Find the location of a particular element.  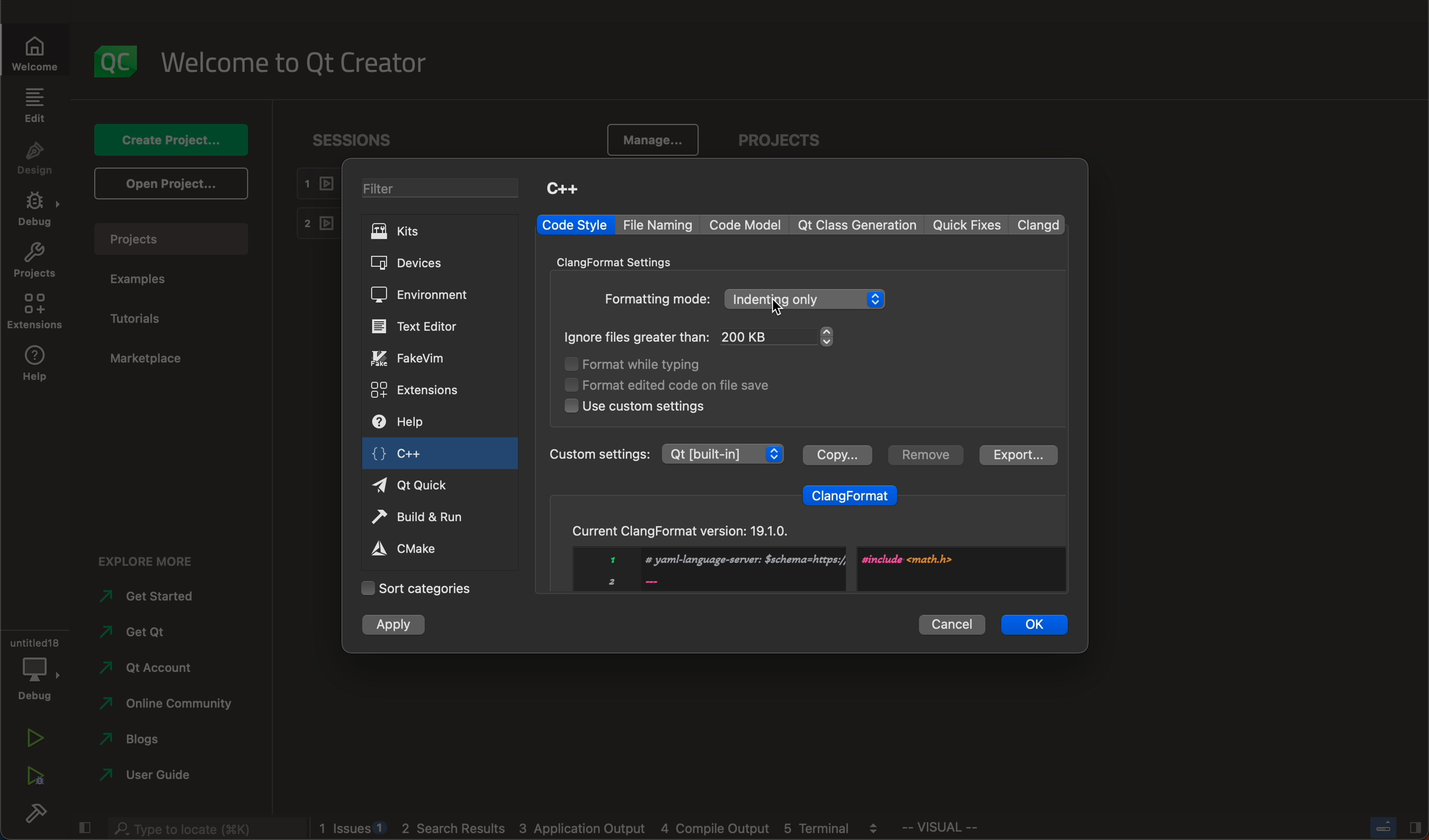

examples is located at coordinates (143, 279).